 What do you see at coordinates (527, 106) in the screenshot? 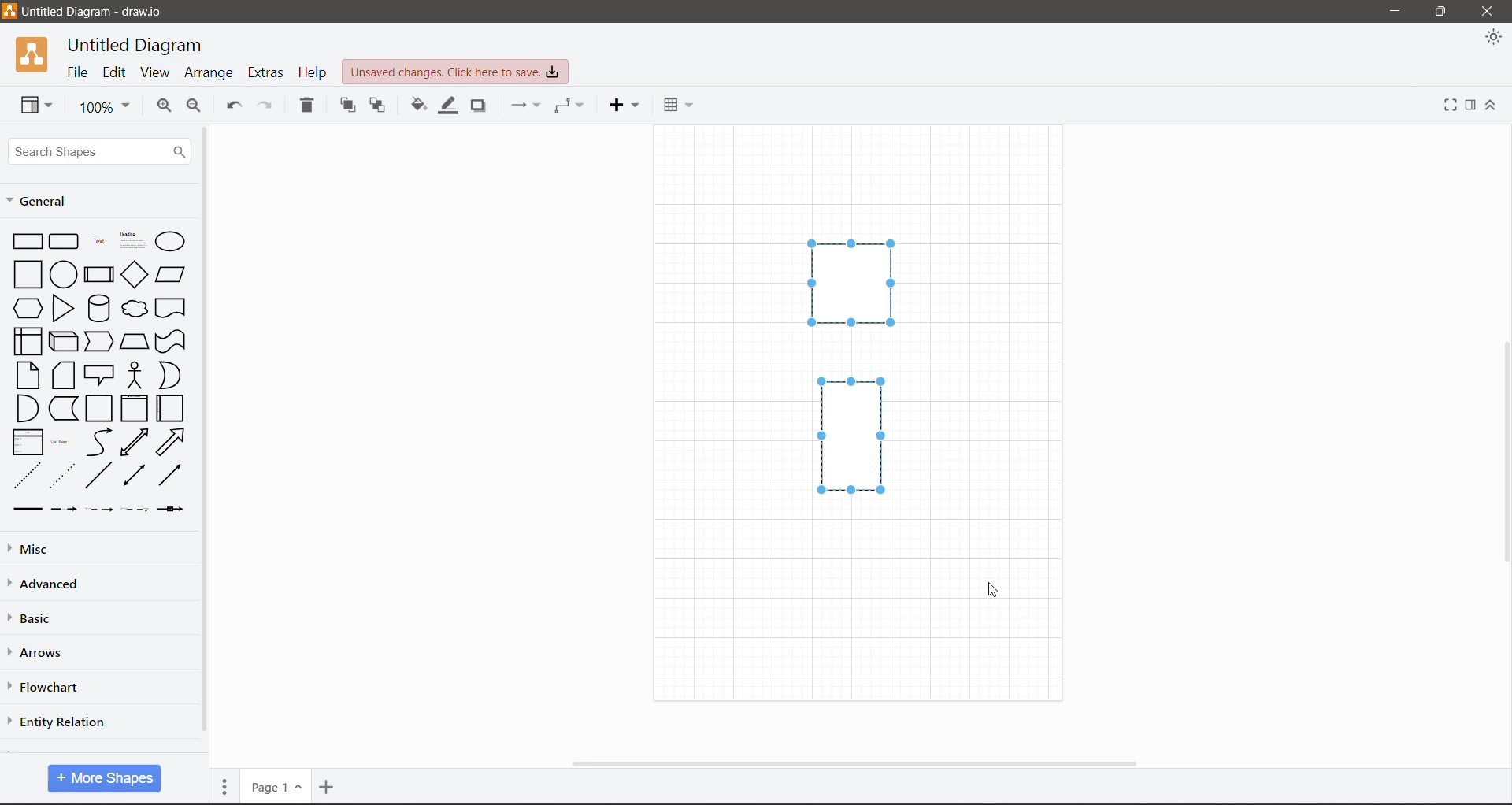
I see `Connection` at bounding box center [527, 106].